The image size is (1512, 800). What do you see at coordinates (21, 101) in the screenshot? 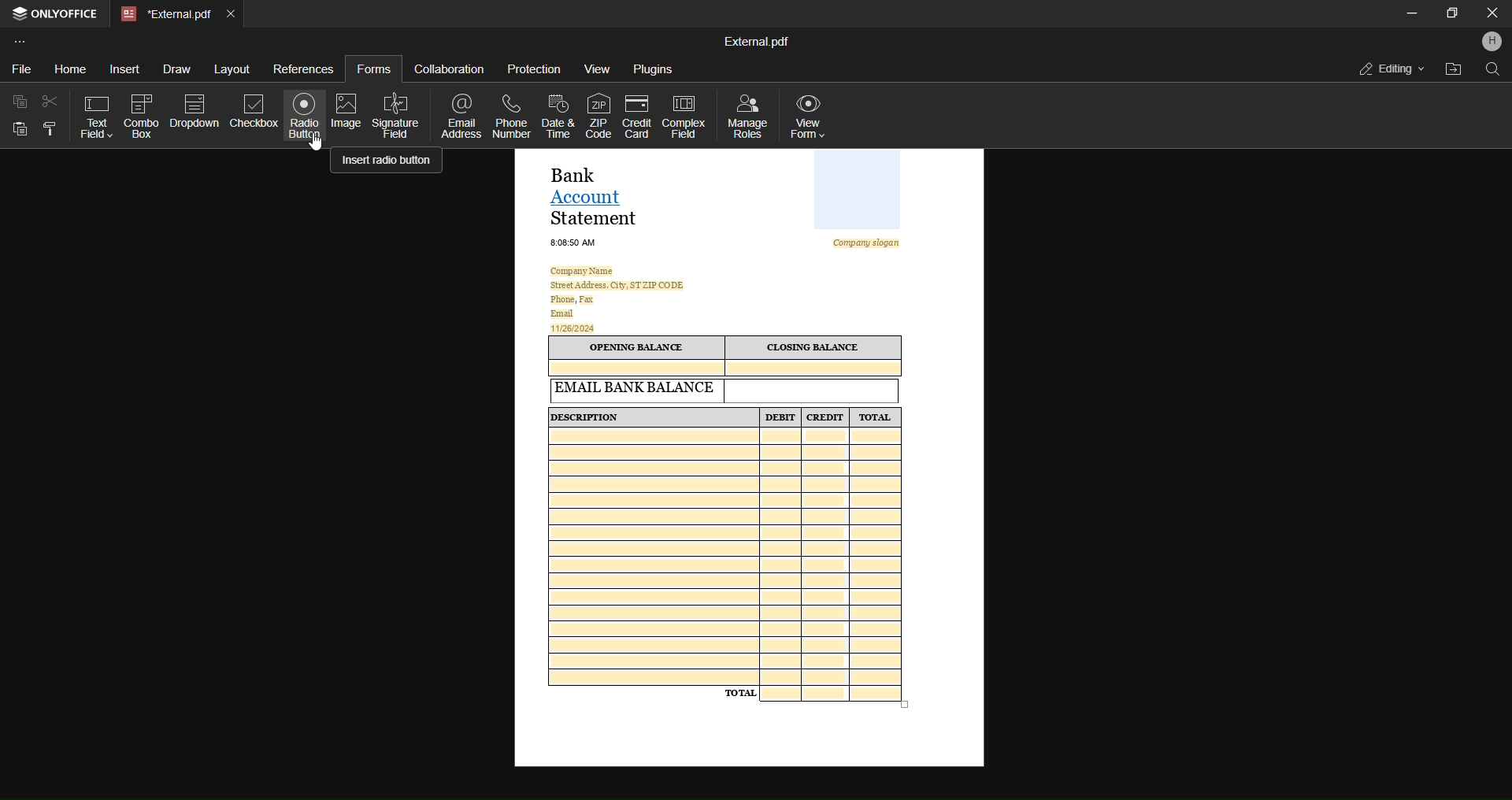
I see `copy` at bounding box center [21, 101].